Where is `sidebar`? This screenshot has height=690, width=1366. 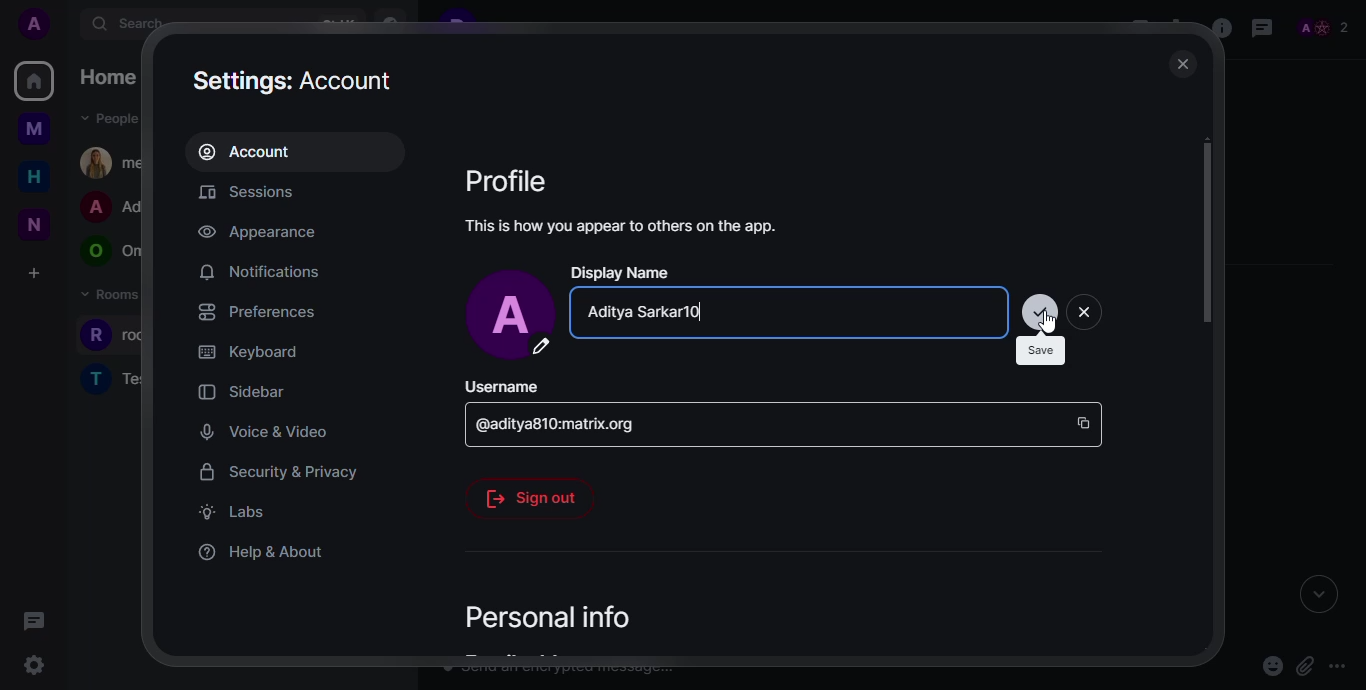
sidebar is located at coordinates (240, 391).